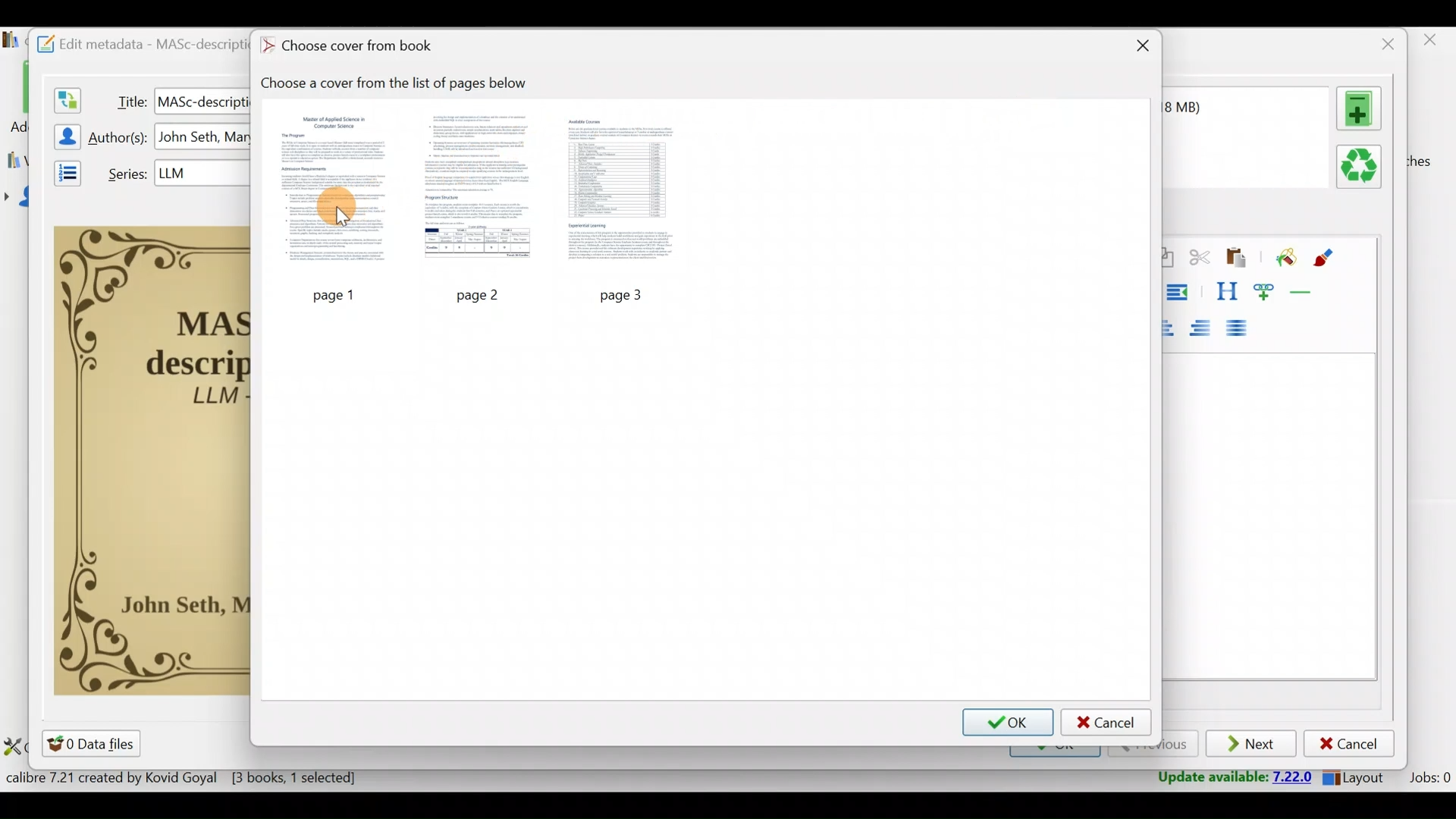 Image resolution: width=1456 pixels, height=819 pixels. Describe the element at coordinates (128, 99) in the screenshot. I see `Title` at that location.